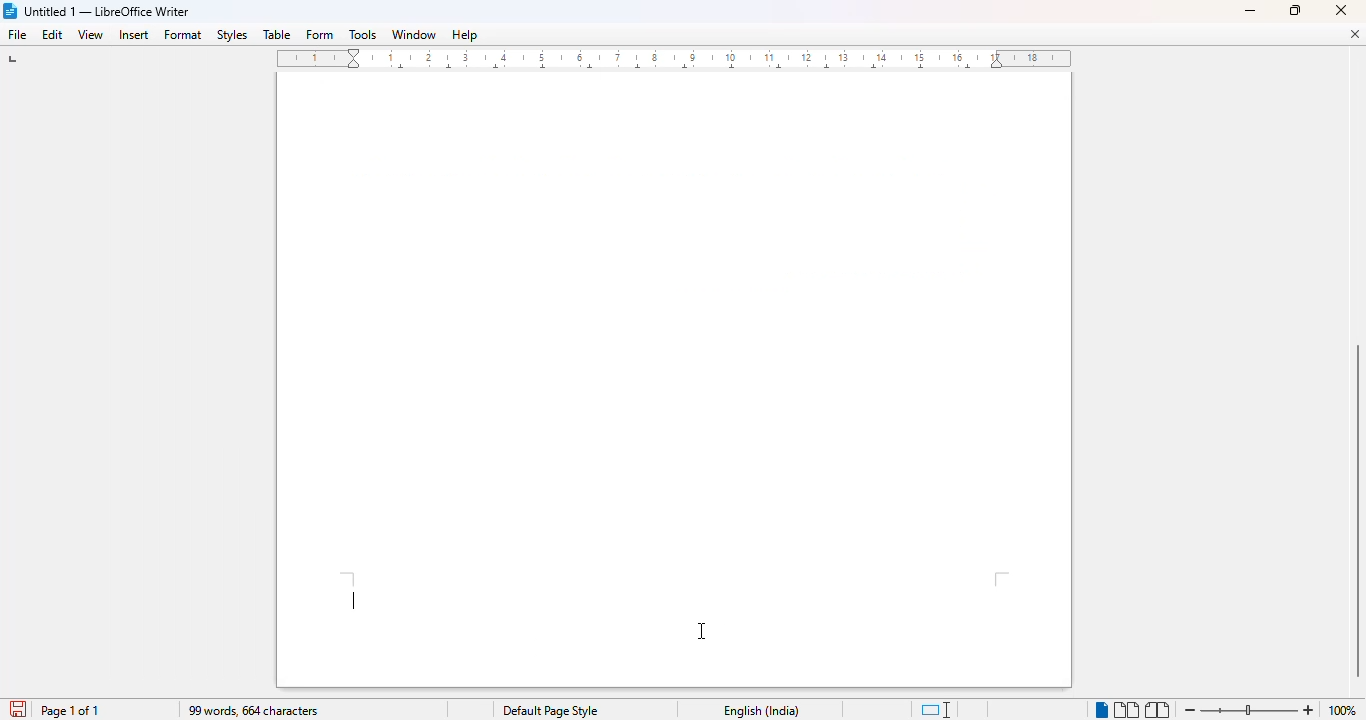 The width and height of the screenshot is (1366, 720). Describe the element at coordinates (16, 34) in the screenshot. I see `file` at that location.